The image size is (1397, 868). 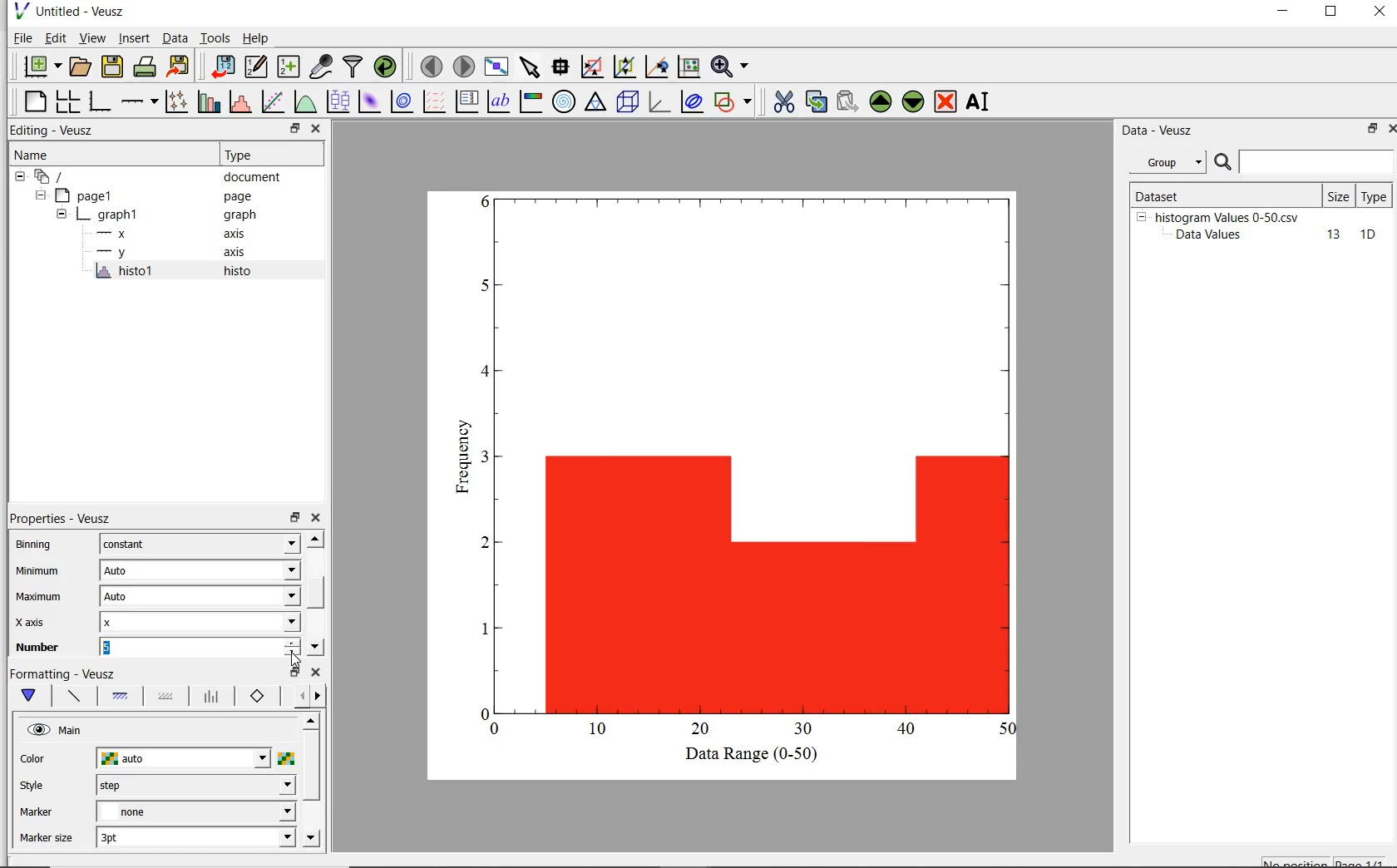 What do you see at coordinates (34, 760) in the screenshot?
I see `Color` at bounding box center [34, 760].